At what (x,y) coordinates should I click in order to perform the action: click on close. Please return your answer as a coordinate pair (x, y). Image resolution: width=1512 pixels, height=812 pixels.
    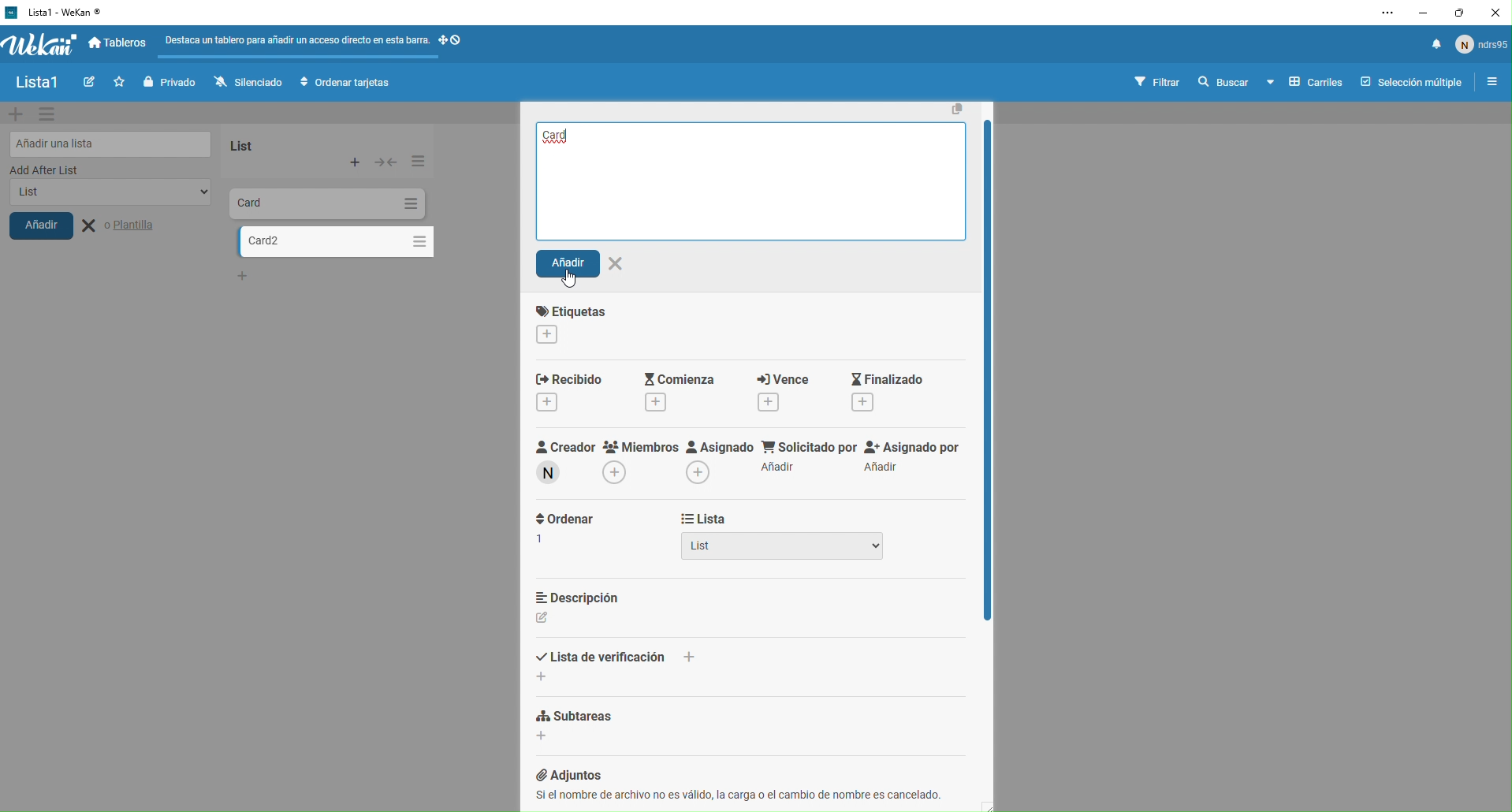
    Looking at the image, I should click on (1496, 12).